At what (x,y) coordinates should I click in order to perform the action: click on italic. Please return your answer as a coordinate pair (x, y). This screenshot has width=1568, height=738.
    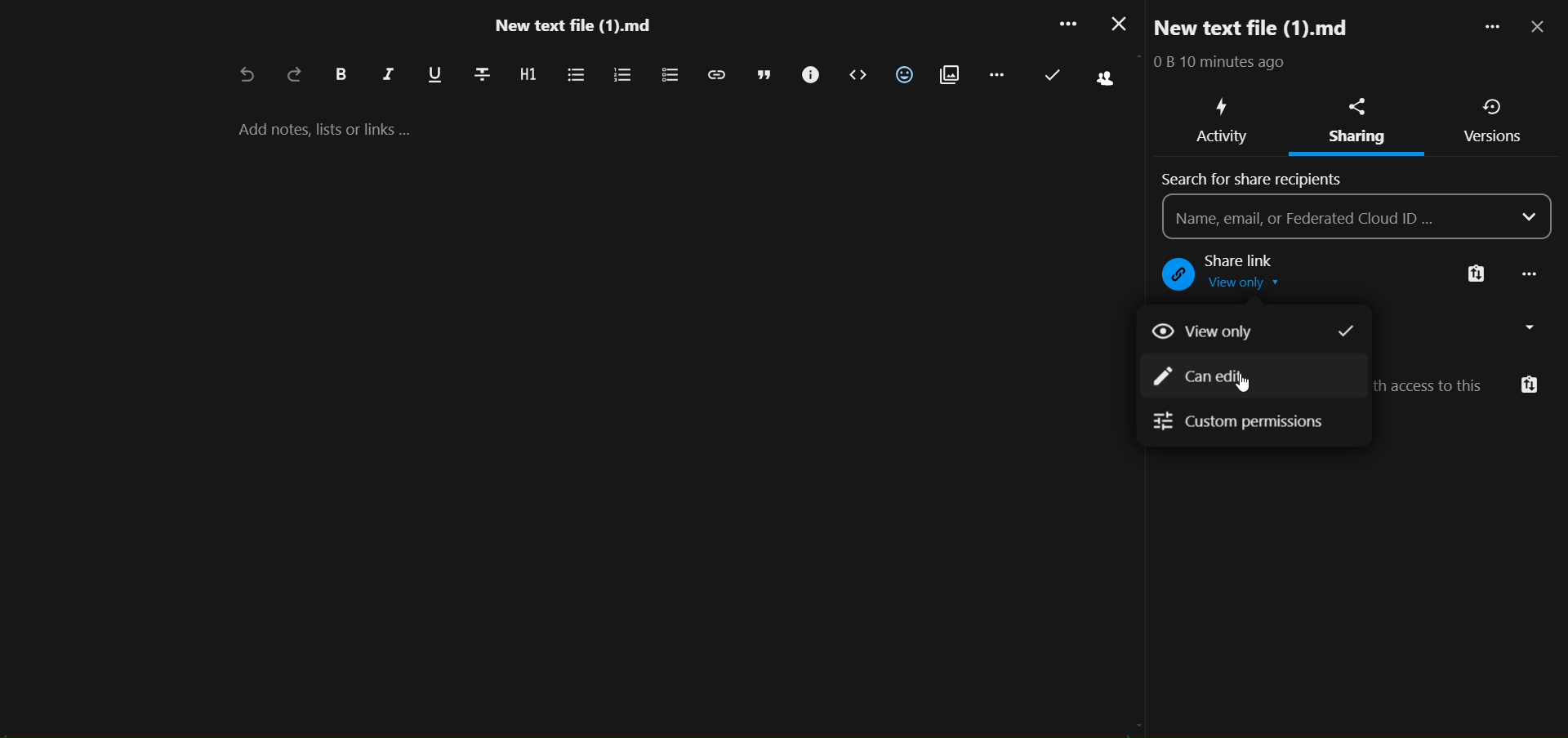
    Looking at the image, I should click on (388, 78).